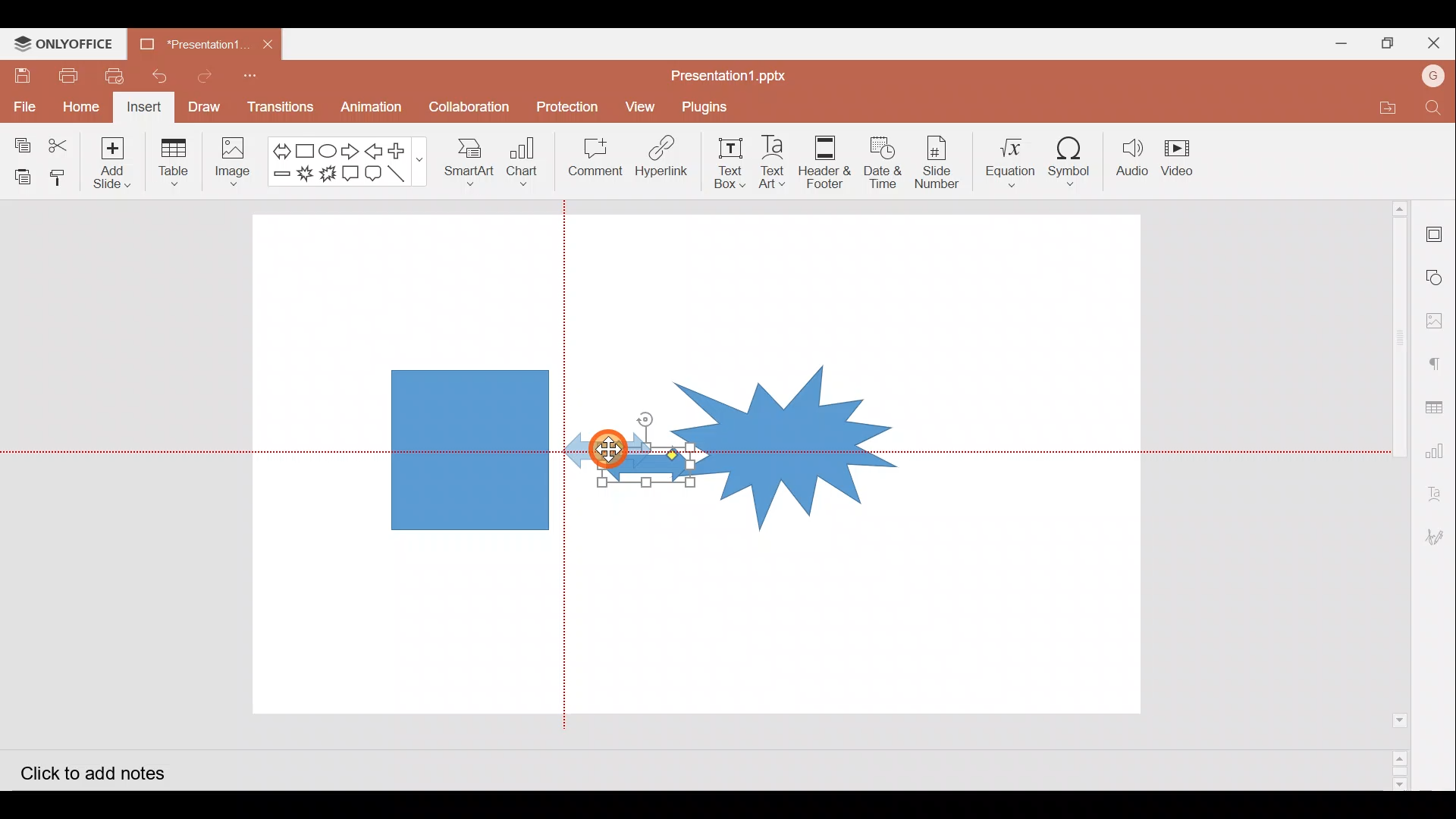  What do you see at coordinates (172, 165) in the screenshot?
I see `Table` at bounding box center [172, 165].